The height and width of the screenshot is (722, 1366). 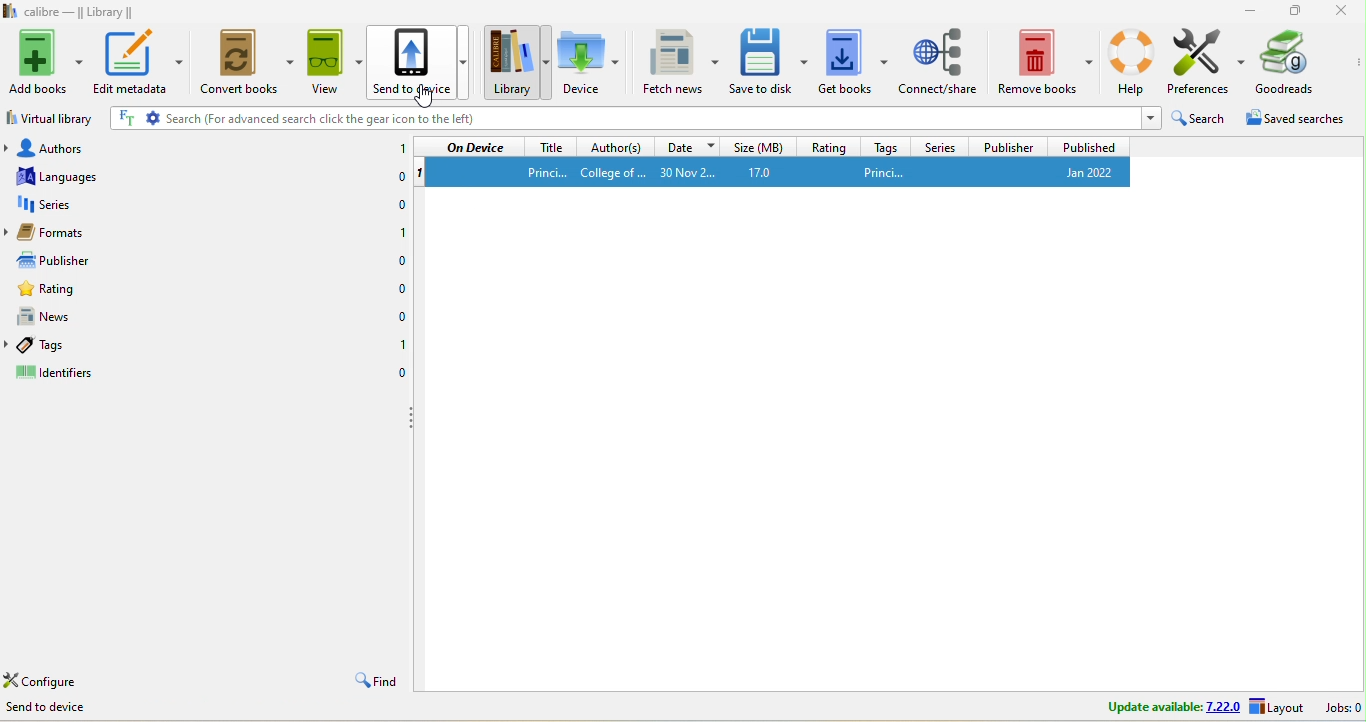 What do you see at coordinates (1338, 12) in the screenshot?
I see `close` at bounding box center [1338, 12].